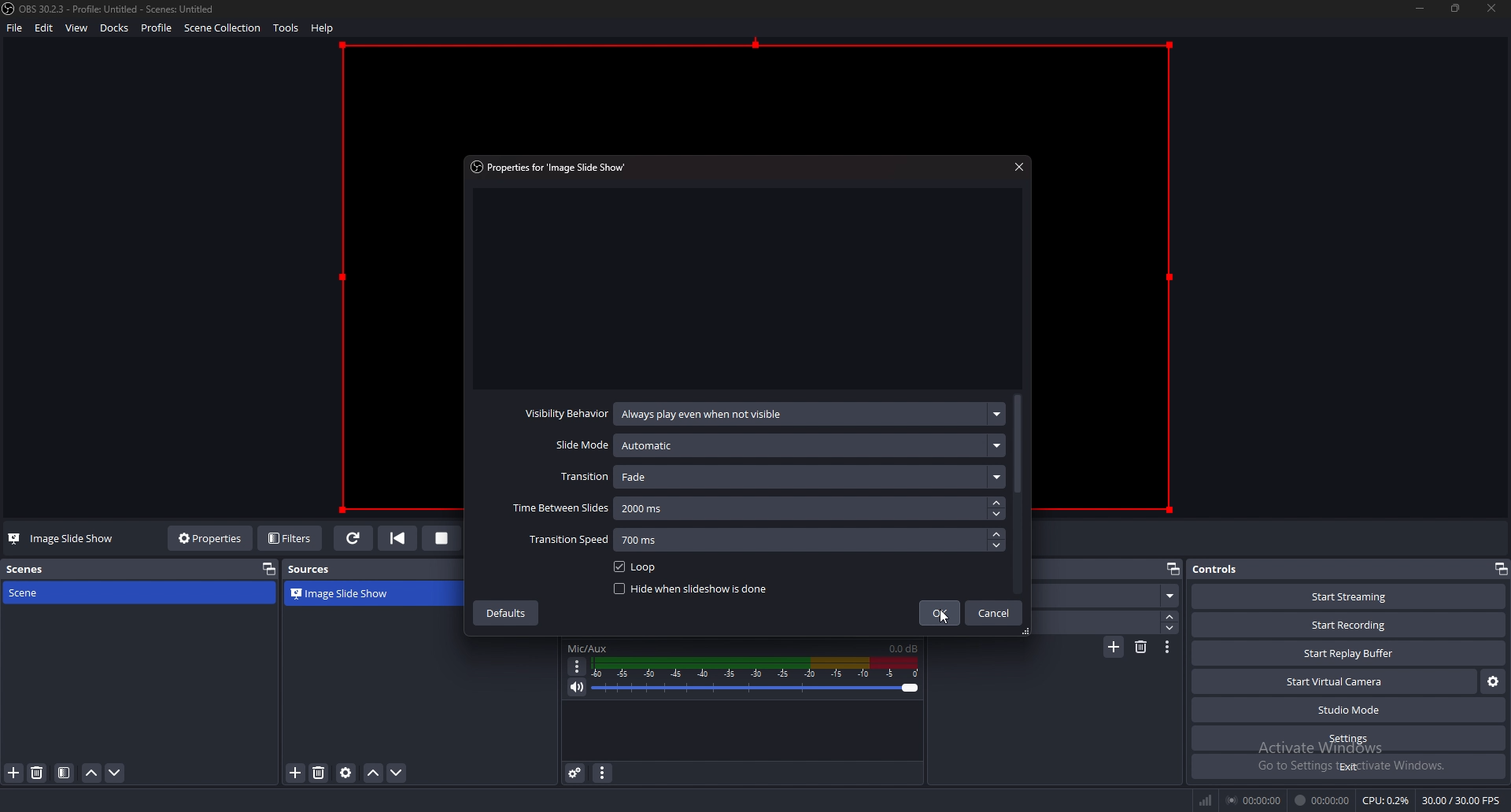 The width and height of the screenshot is (1511, 812). Describe the element at coordinates (1112, 648) in the screenshot. I see `add transition` at that location.